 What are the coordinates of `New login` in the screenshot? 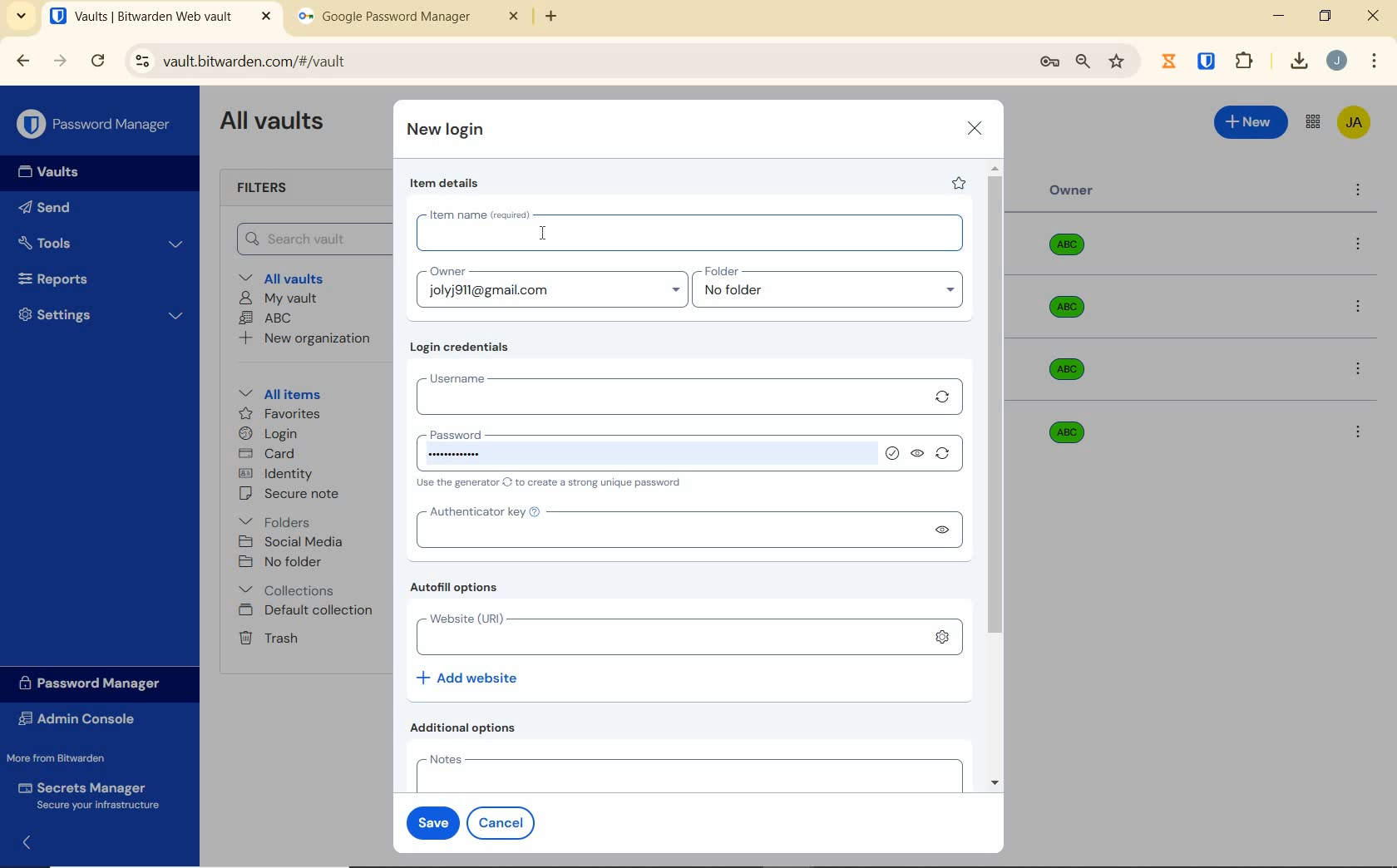 It's located at (447, 131).